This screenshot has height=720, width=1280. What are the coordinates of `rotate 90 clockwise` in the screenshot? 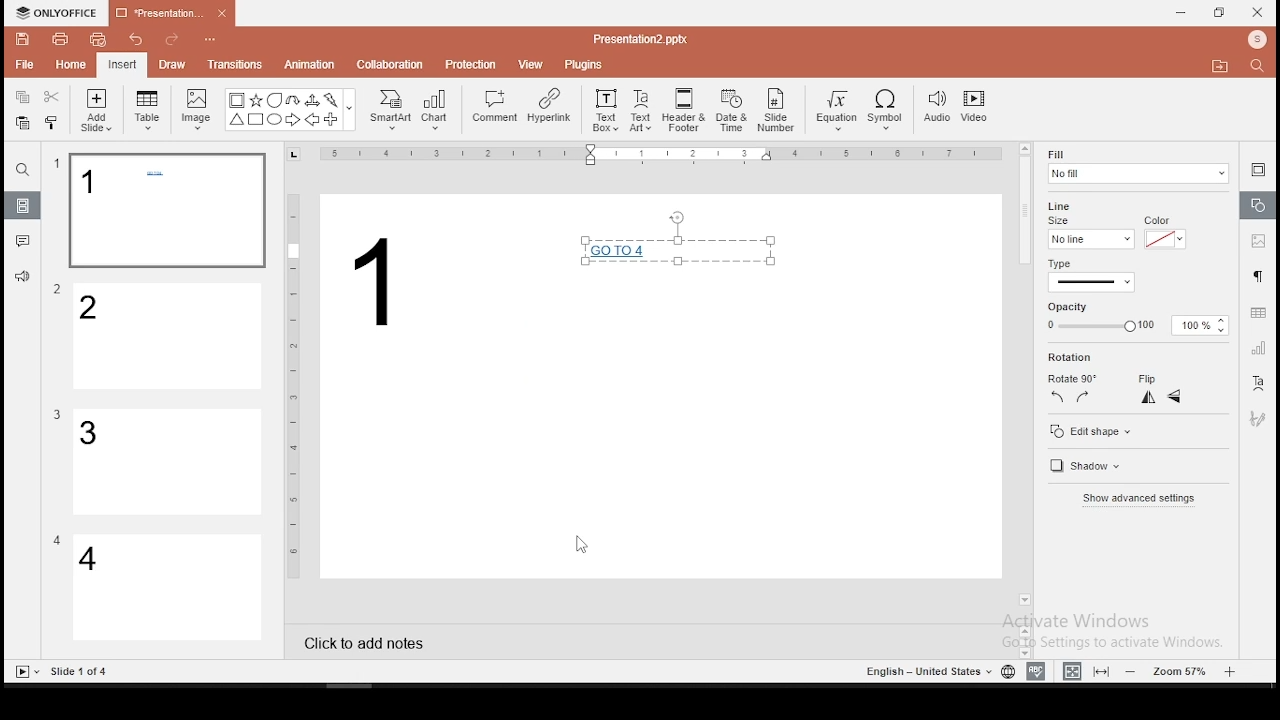 It's located at (1084, 396).